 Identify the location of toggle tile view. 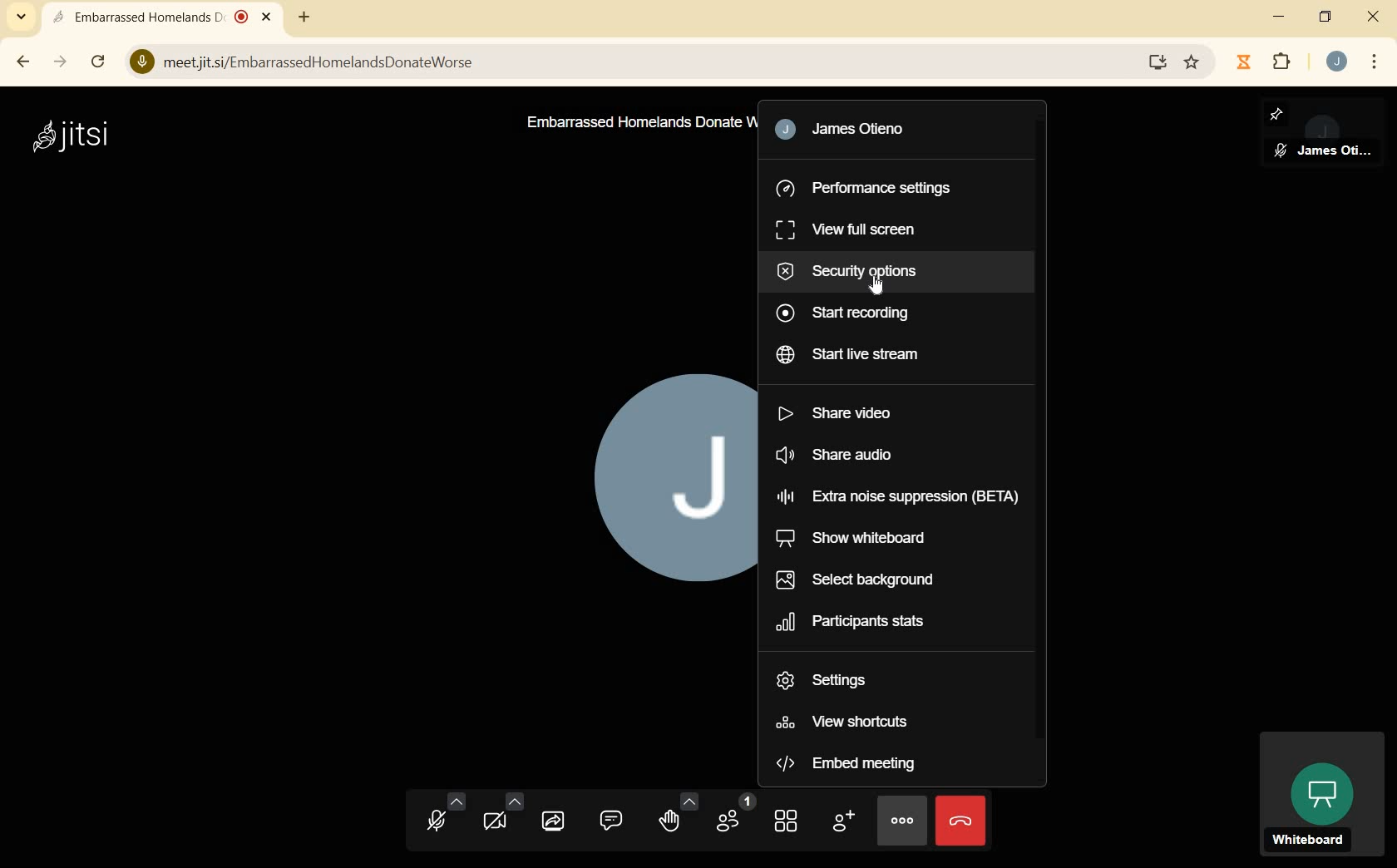
(784, 822).